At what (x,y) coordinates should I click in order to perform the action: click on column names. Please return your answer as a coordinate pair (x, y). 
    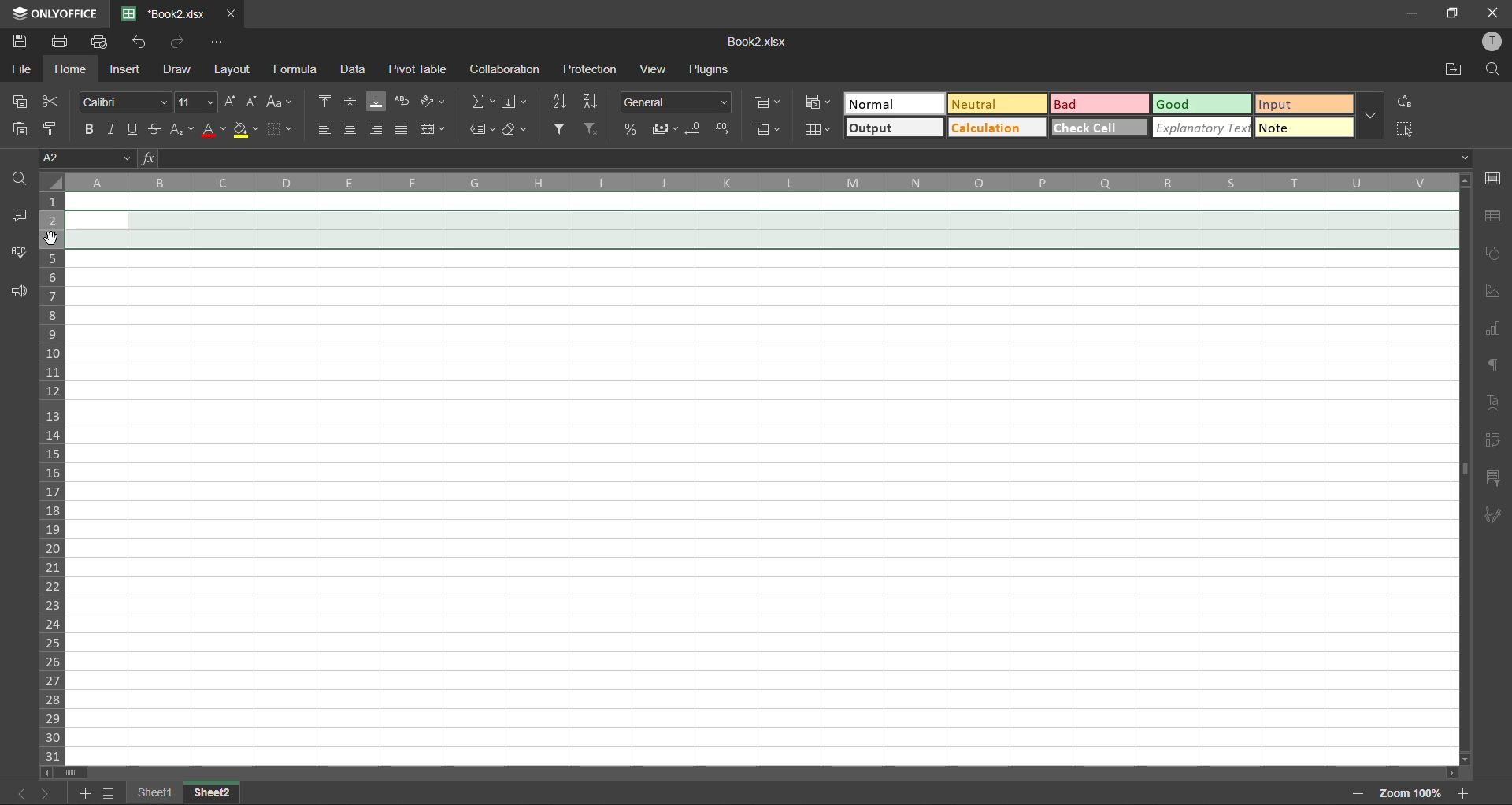
    Looking at the image, I should click on (759, 182).